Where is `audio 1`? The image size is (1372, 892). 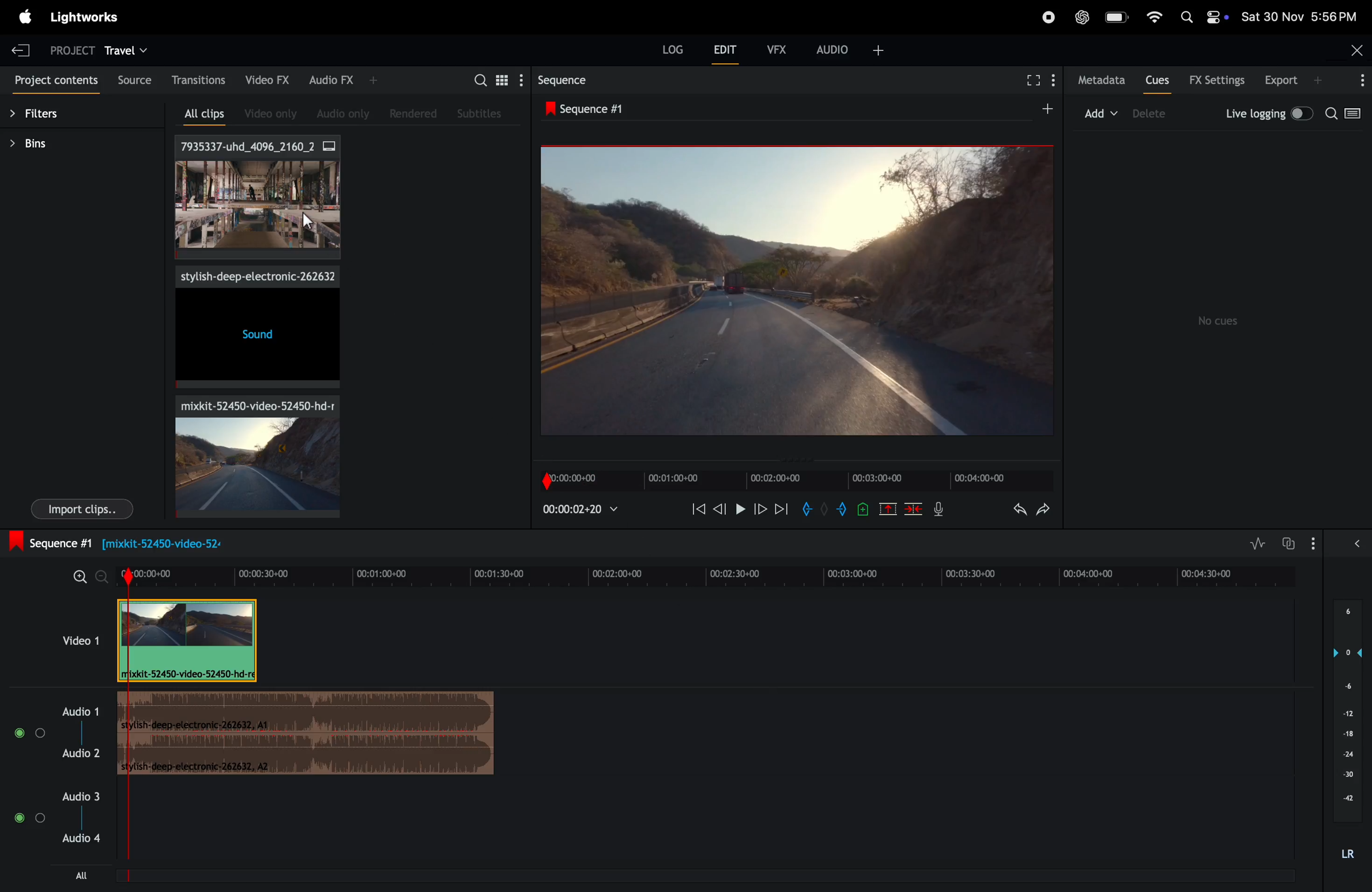 audio 1 is located at coordinates (54, 731).